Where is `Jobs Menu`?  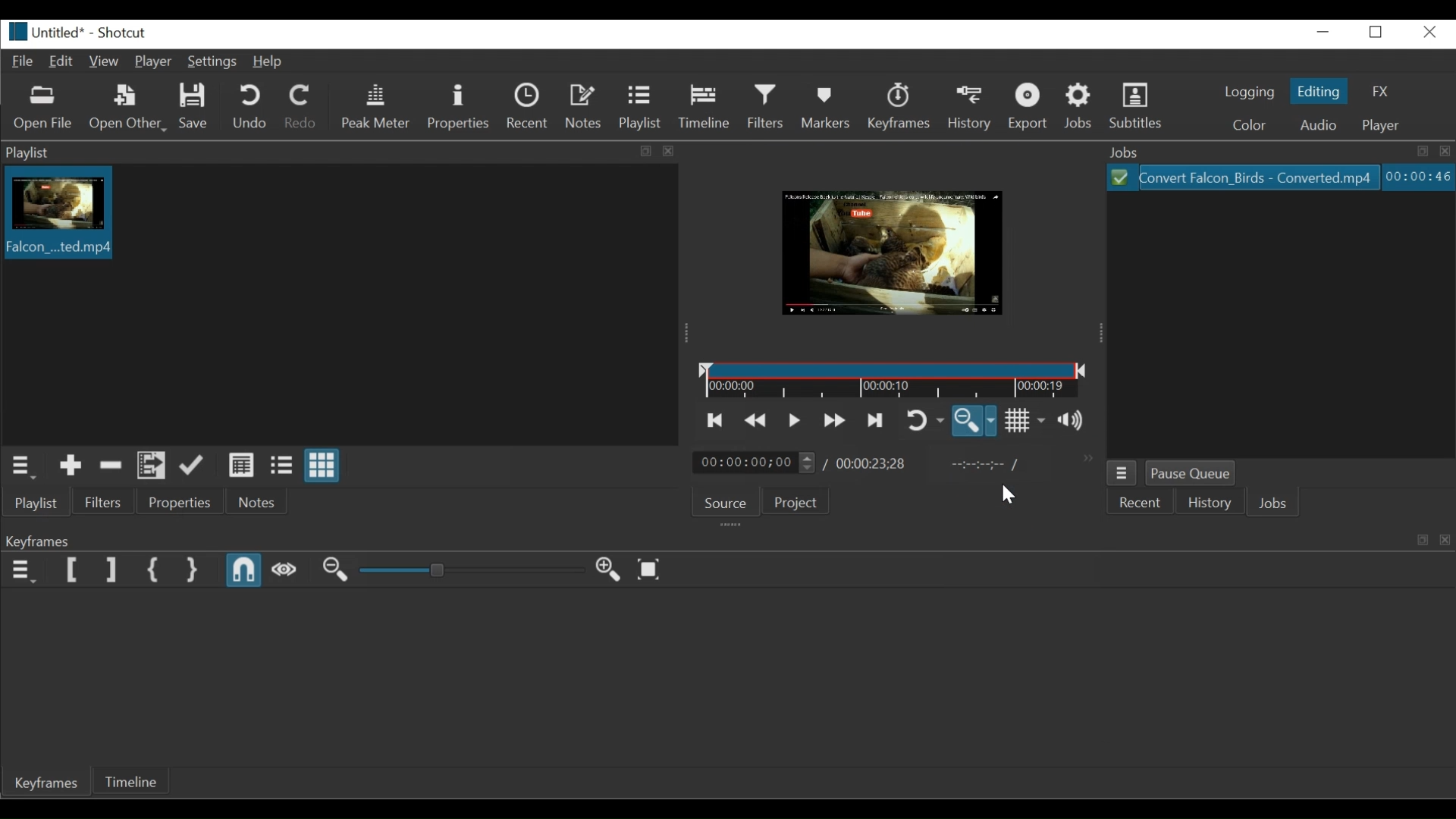
Jobs Menu is located at coordinates (1122, 473).